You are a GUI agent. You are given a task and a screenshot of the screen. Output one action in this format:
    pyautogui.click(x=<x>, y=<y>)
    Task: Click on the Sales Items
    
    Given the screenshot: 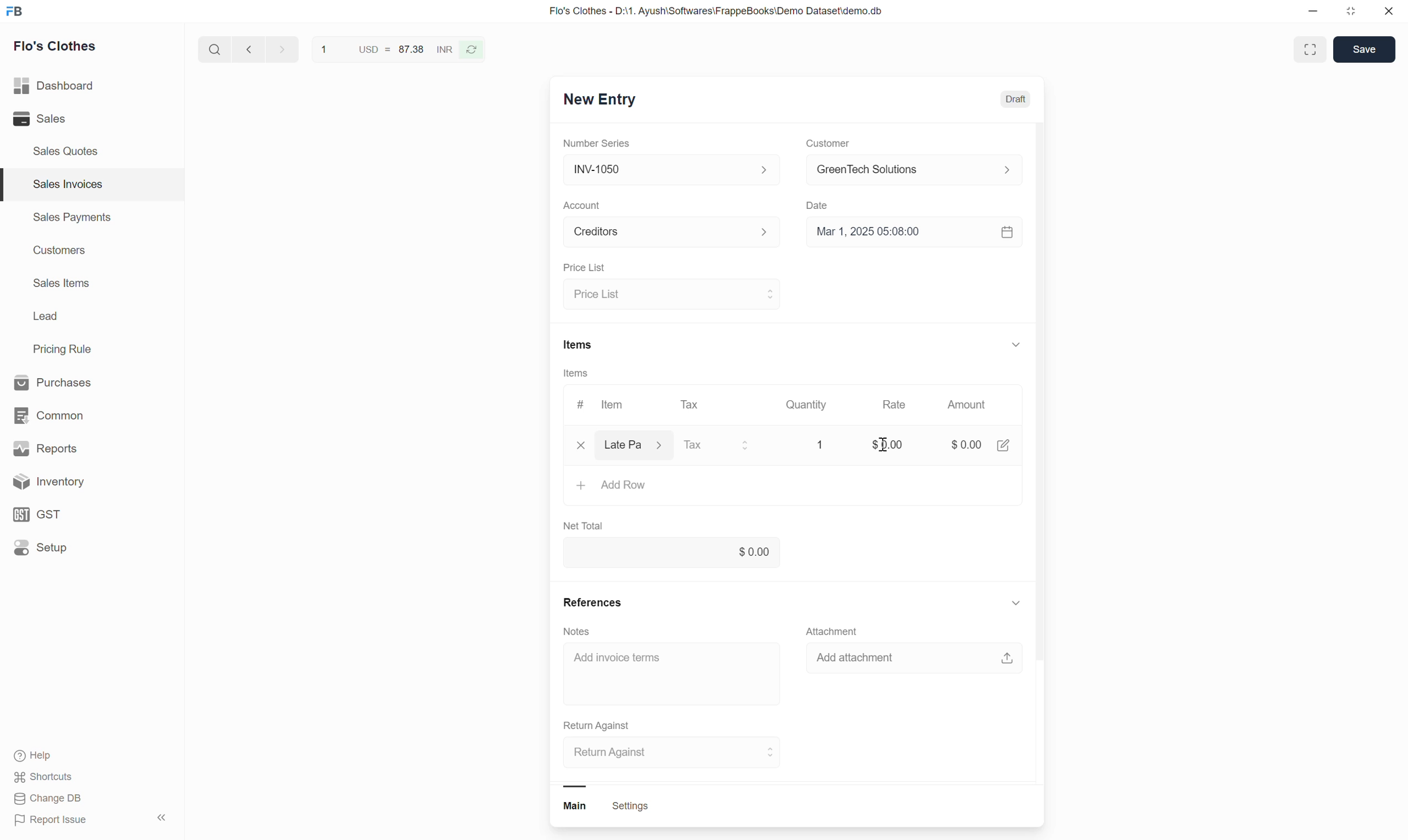 What is the action you would take?
    pyautogui.click(x=62, y=284)
    